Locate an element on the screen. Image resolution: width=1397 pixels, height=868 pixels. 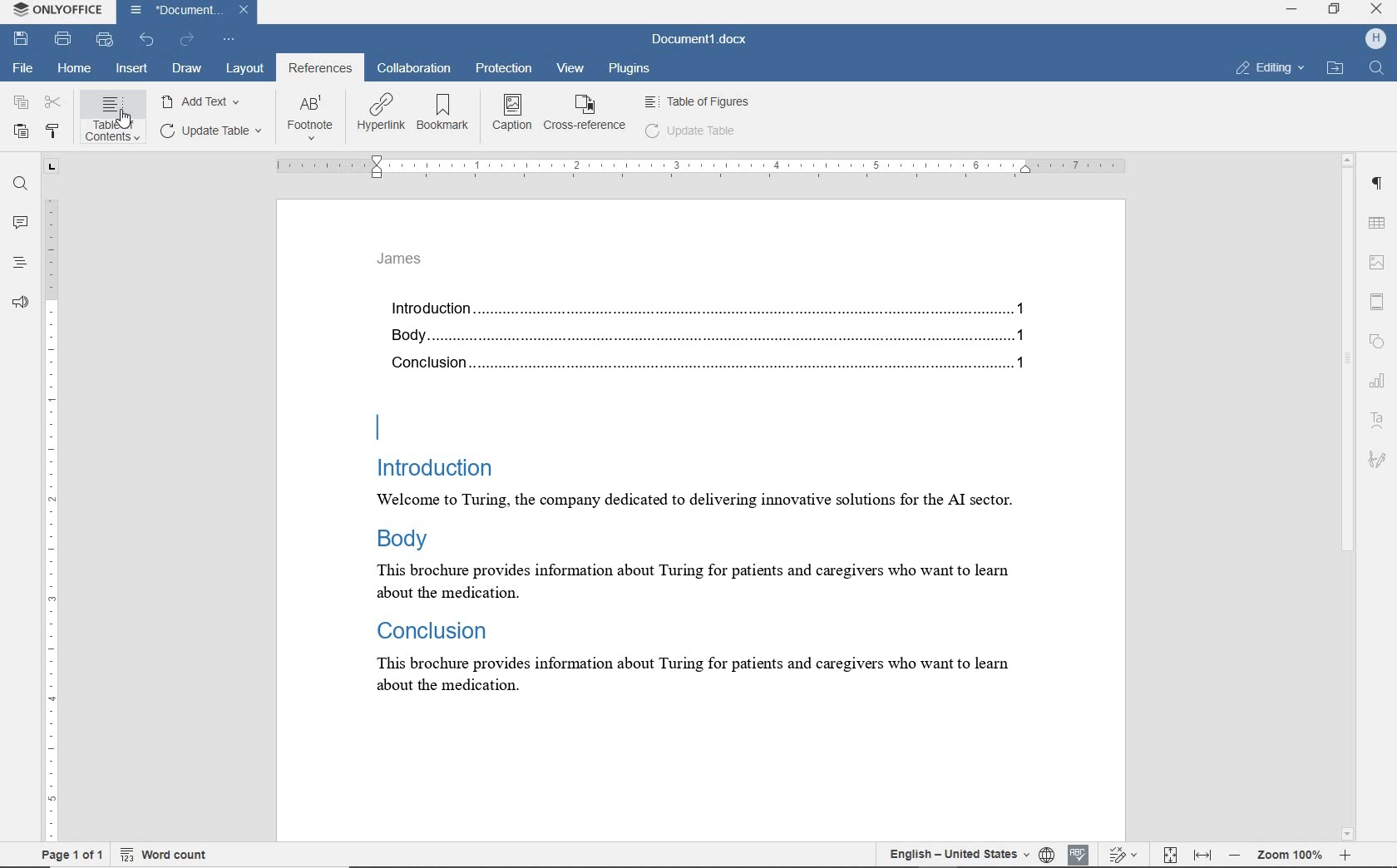
EDITING is located at coordinates (1268, 70).